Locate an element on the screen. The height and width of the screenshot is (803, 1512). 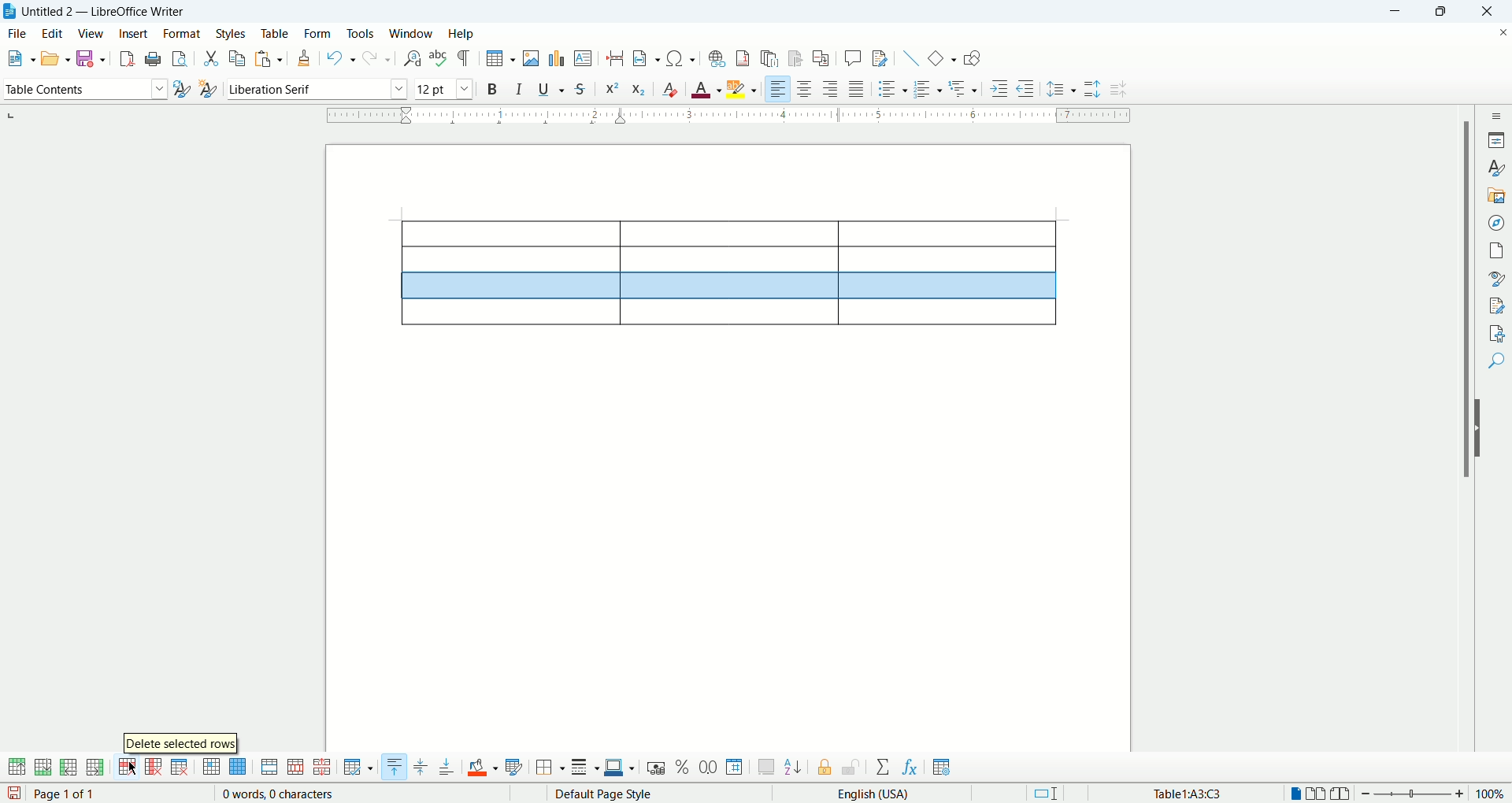
bold is located at coordinates (492, 88).